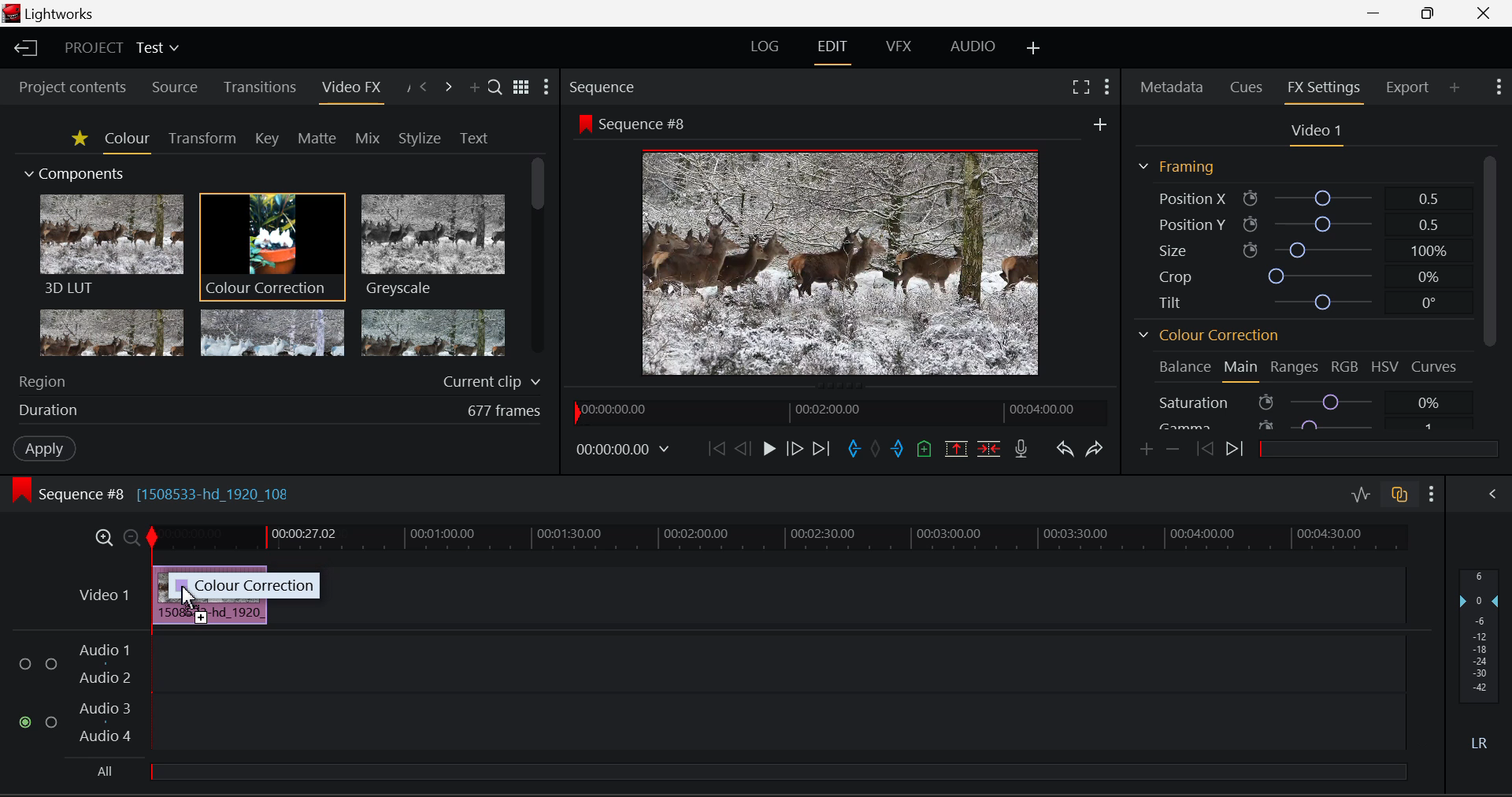 The image size is (1512, 797). What do you see at coordinates (1210, 334) in the screenshot?
I see `Colour Correction` at bounding box center [1210, 334].